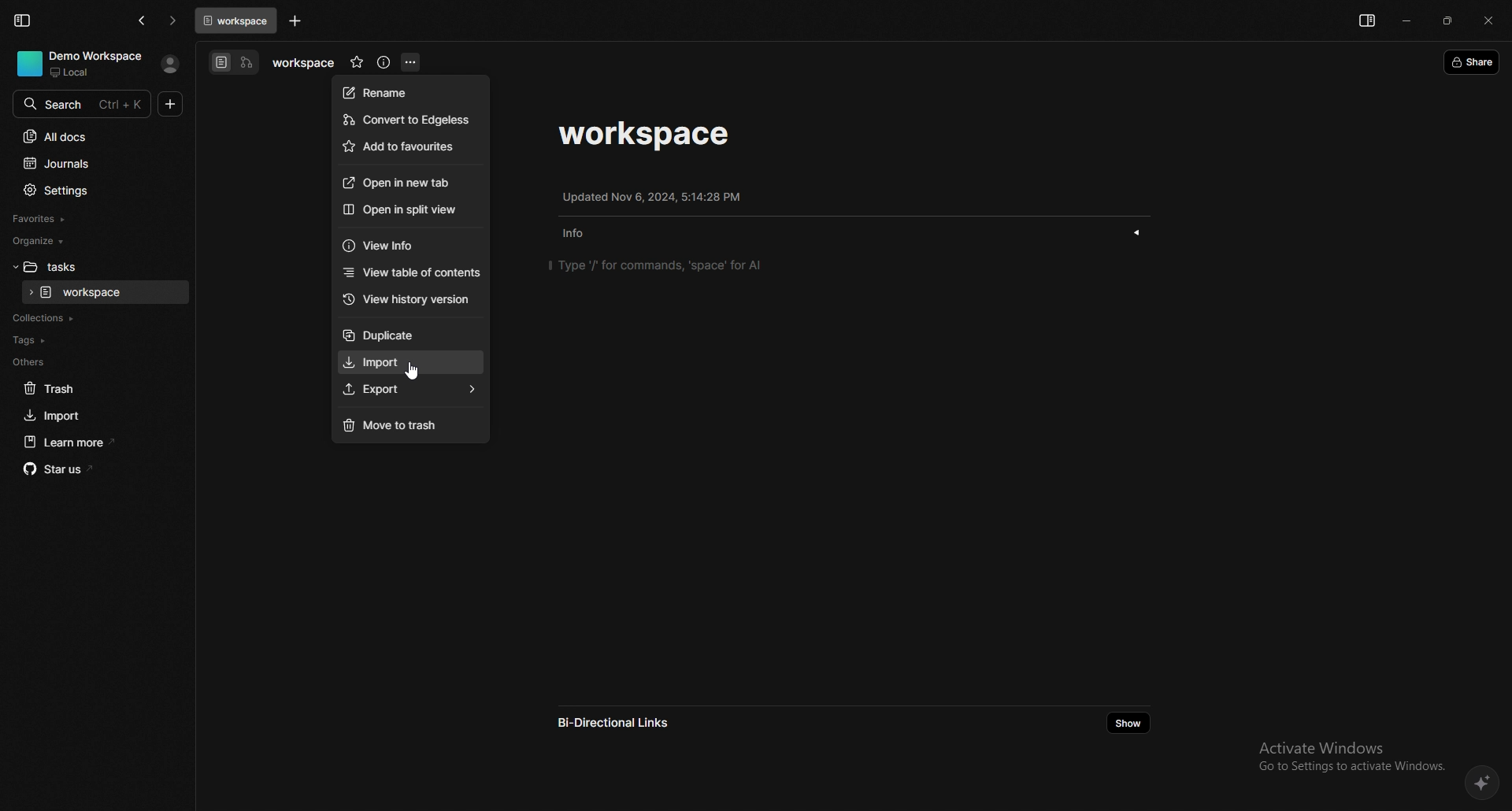 This screenshot has height=811, width=1512. I want to click on go forward, so click(173, 21).